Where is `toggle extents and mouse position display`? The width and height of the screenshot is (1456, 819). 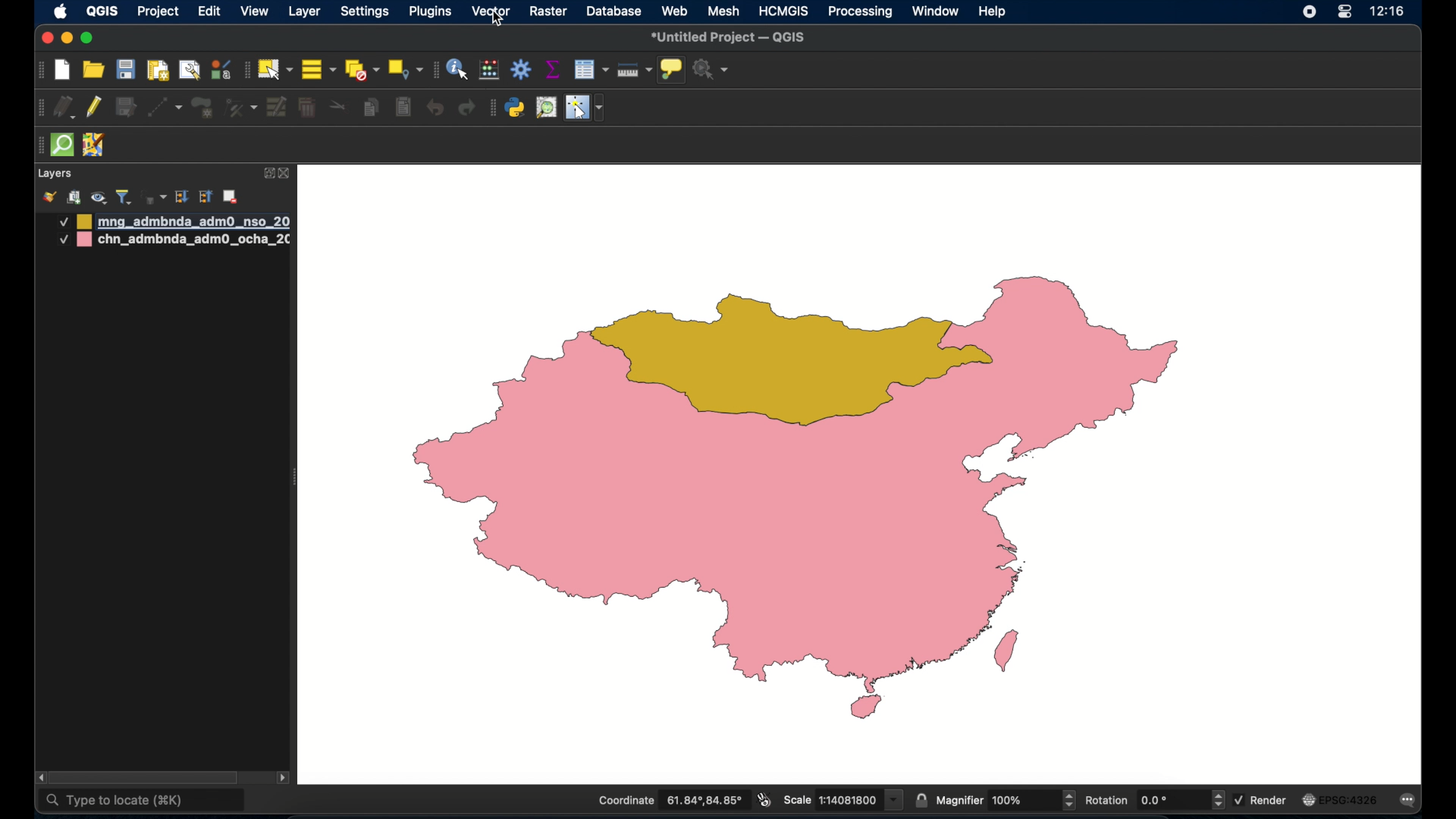 toggle extents and mouse position display is located at coordinates (762, 799).